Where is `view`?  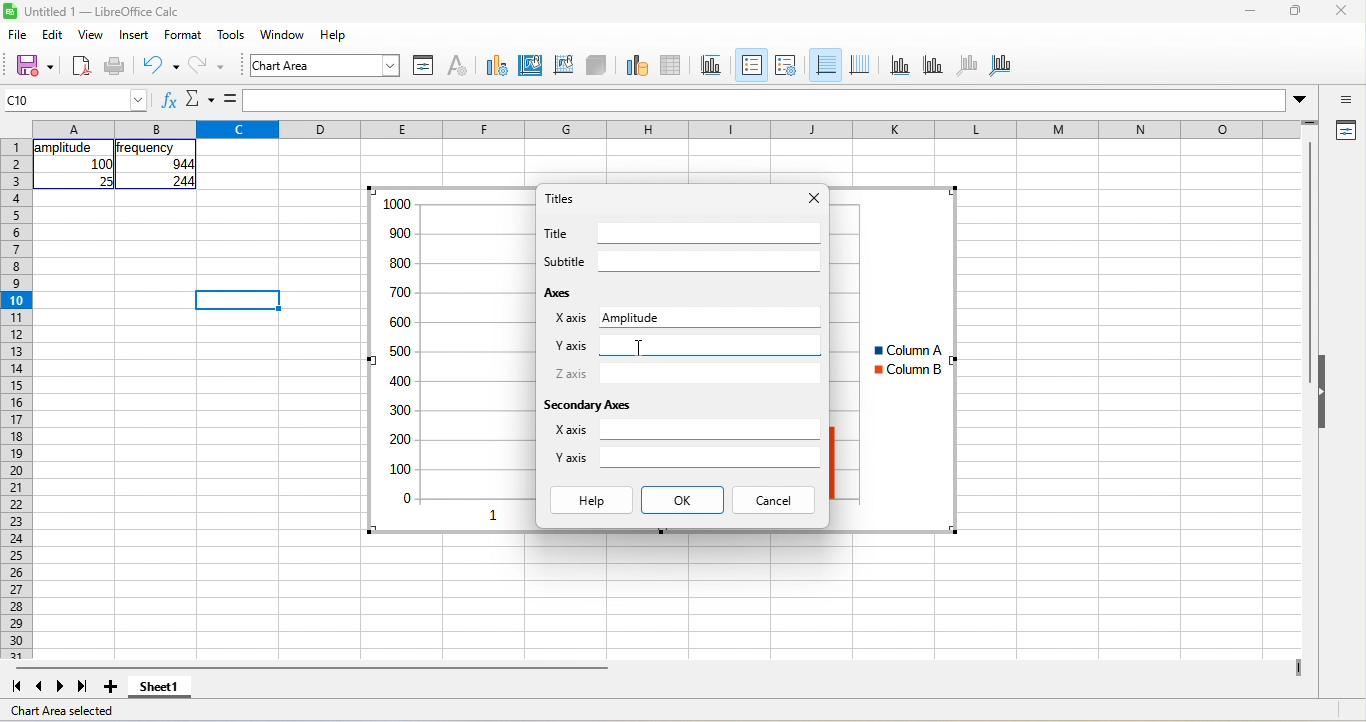 view is located at coordinates (92, 34).